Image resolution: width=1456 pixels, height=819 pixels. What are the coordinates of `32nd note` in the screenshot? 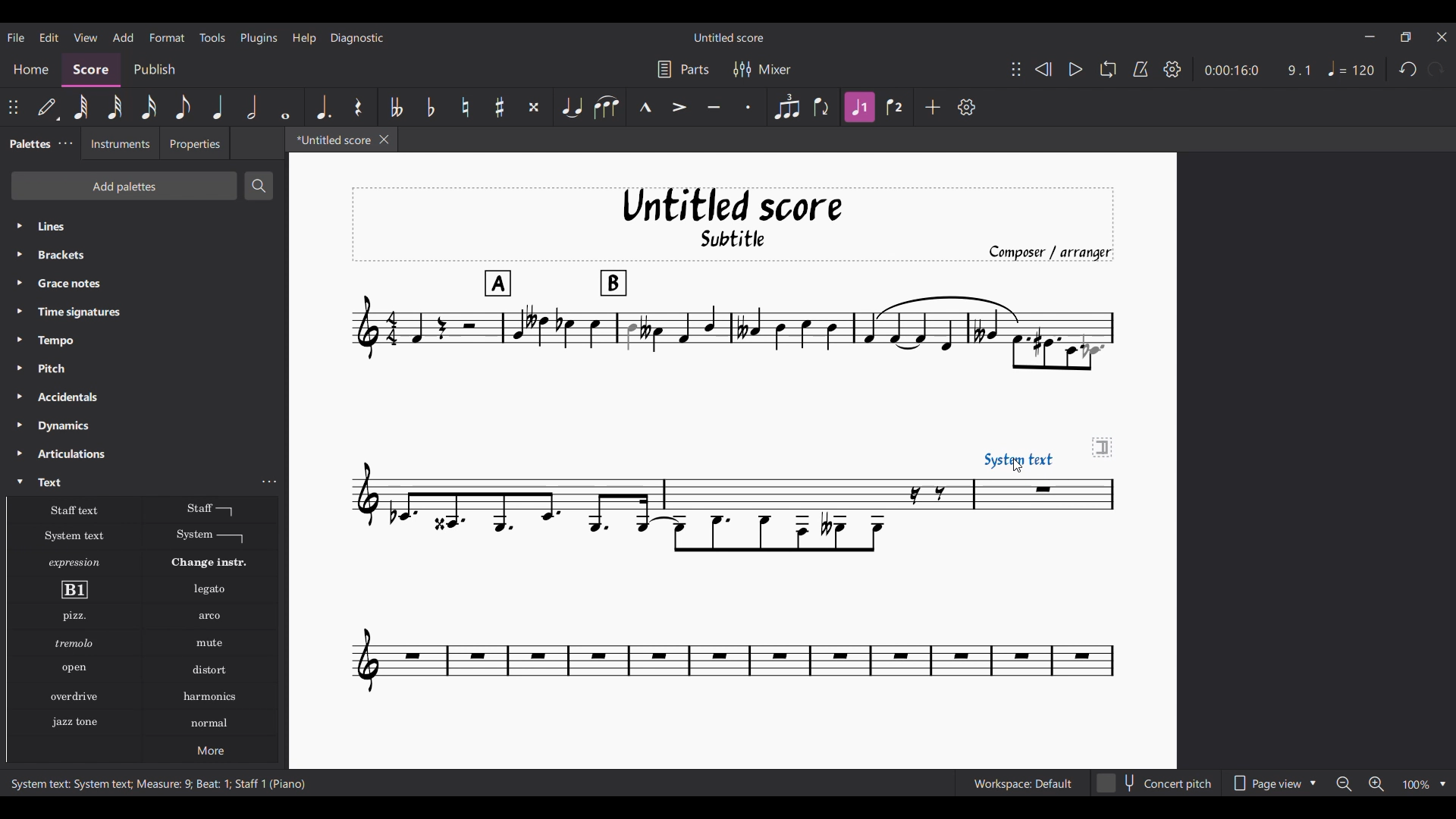 It's located at (115, 107).